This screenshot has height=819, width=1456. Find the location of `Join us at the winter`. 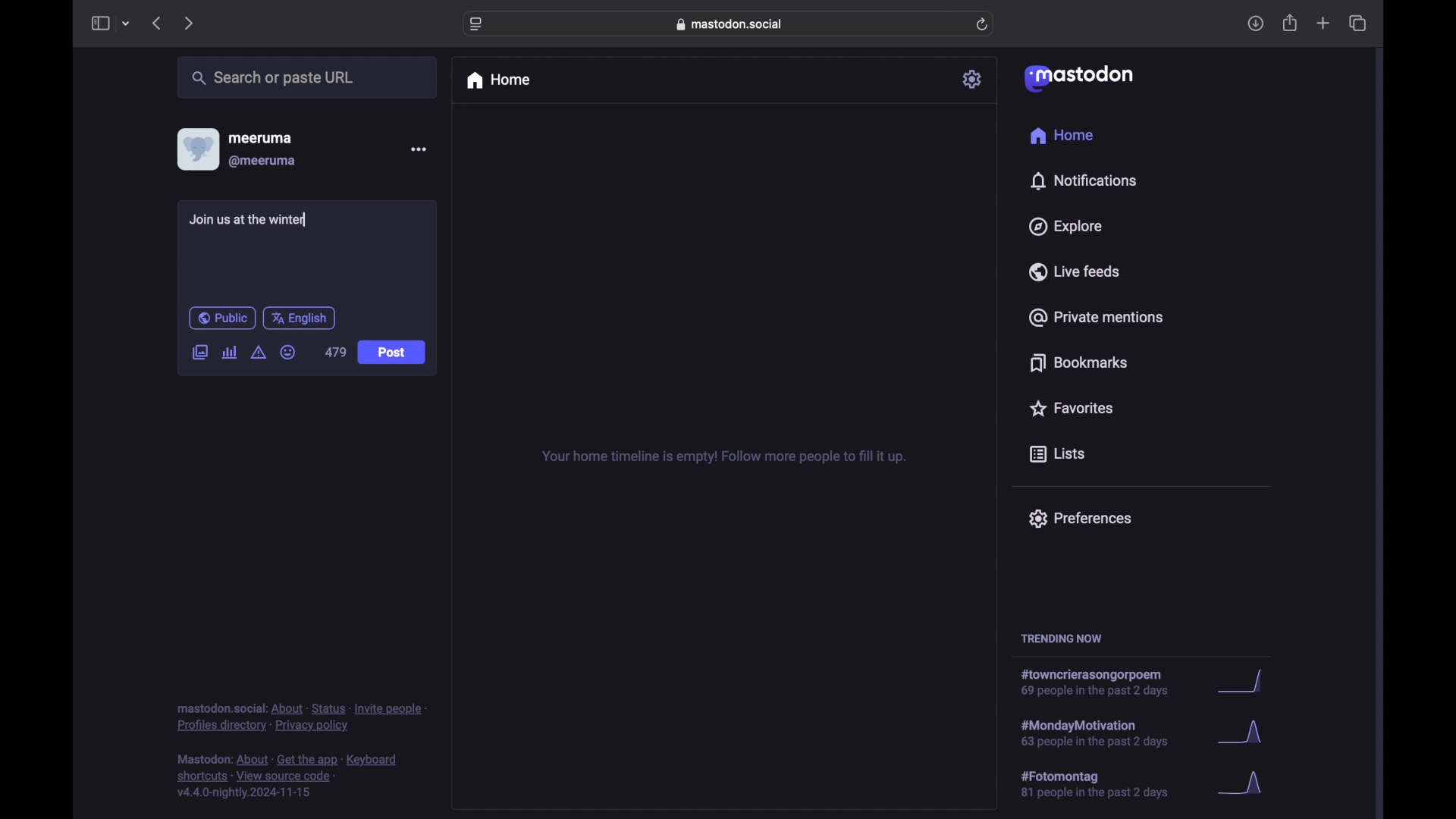

Join us at the winter is located at coordinates (256, 222).